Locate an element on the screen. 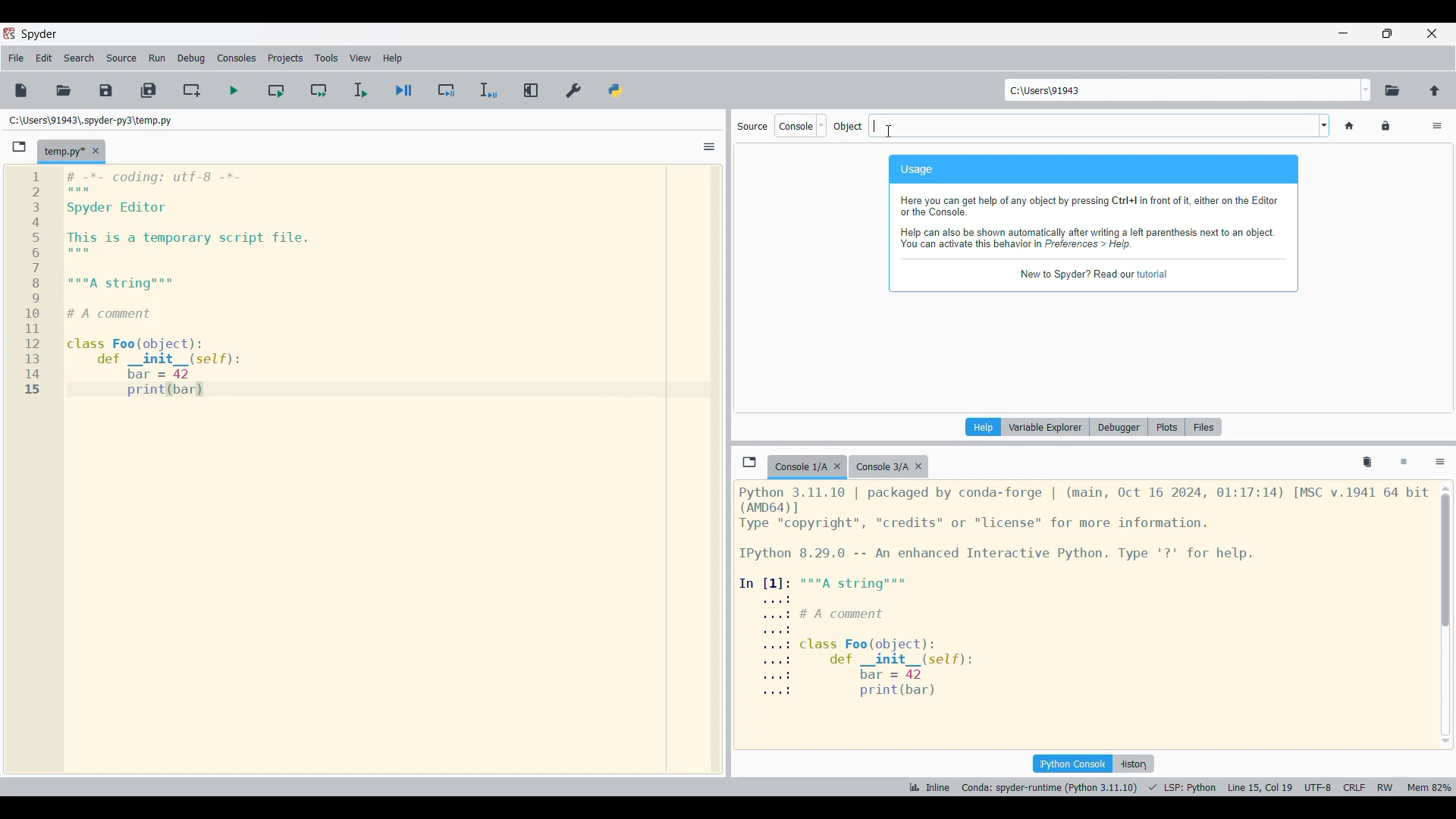 This screenshot has height=819, width=1456. Debug selection/current line is located at coordinates (488, 90).